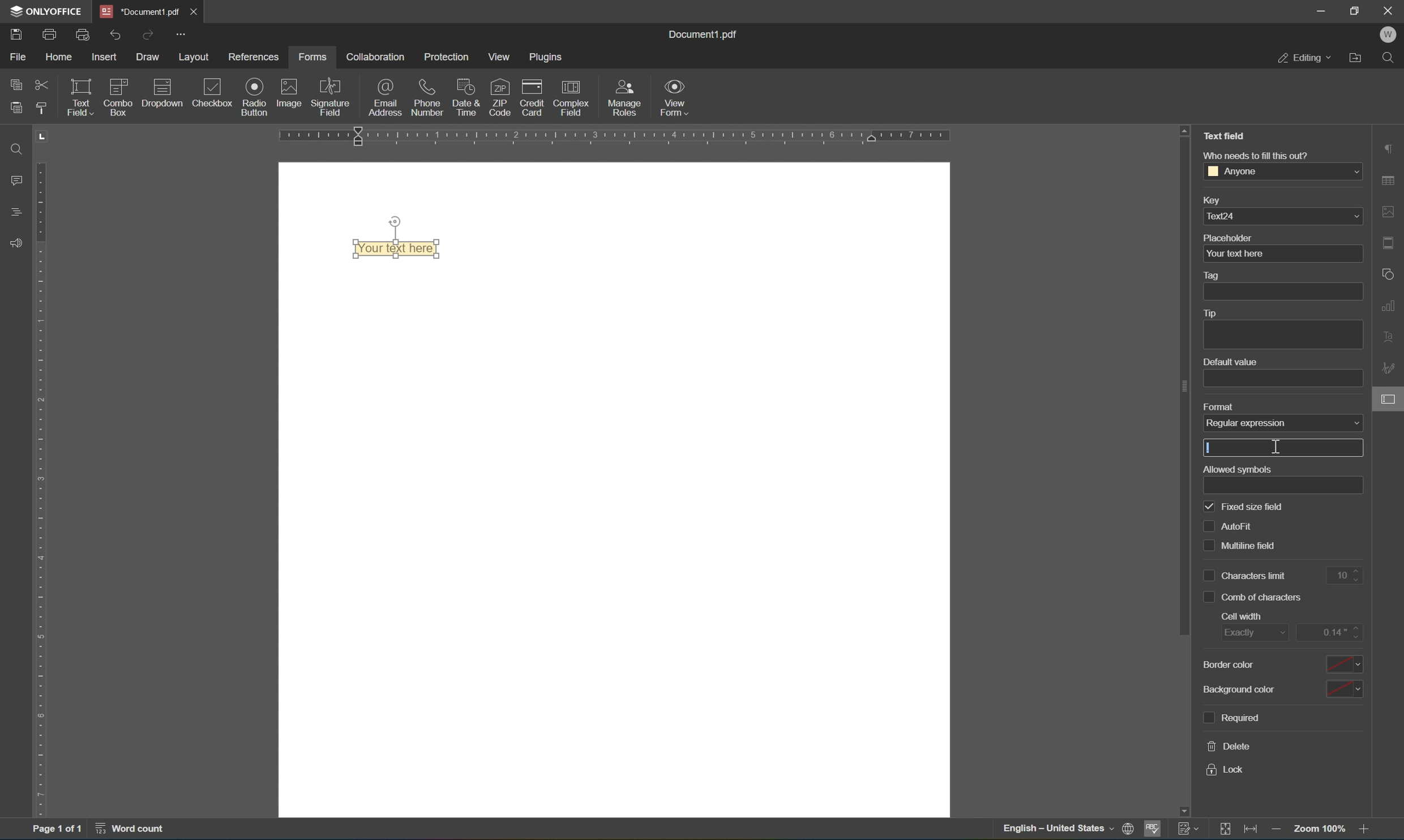  Describe the element at coordinates (547, 57) in the screenshot. I see `plugins` at that location.